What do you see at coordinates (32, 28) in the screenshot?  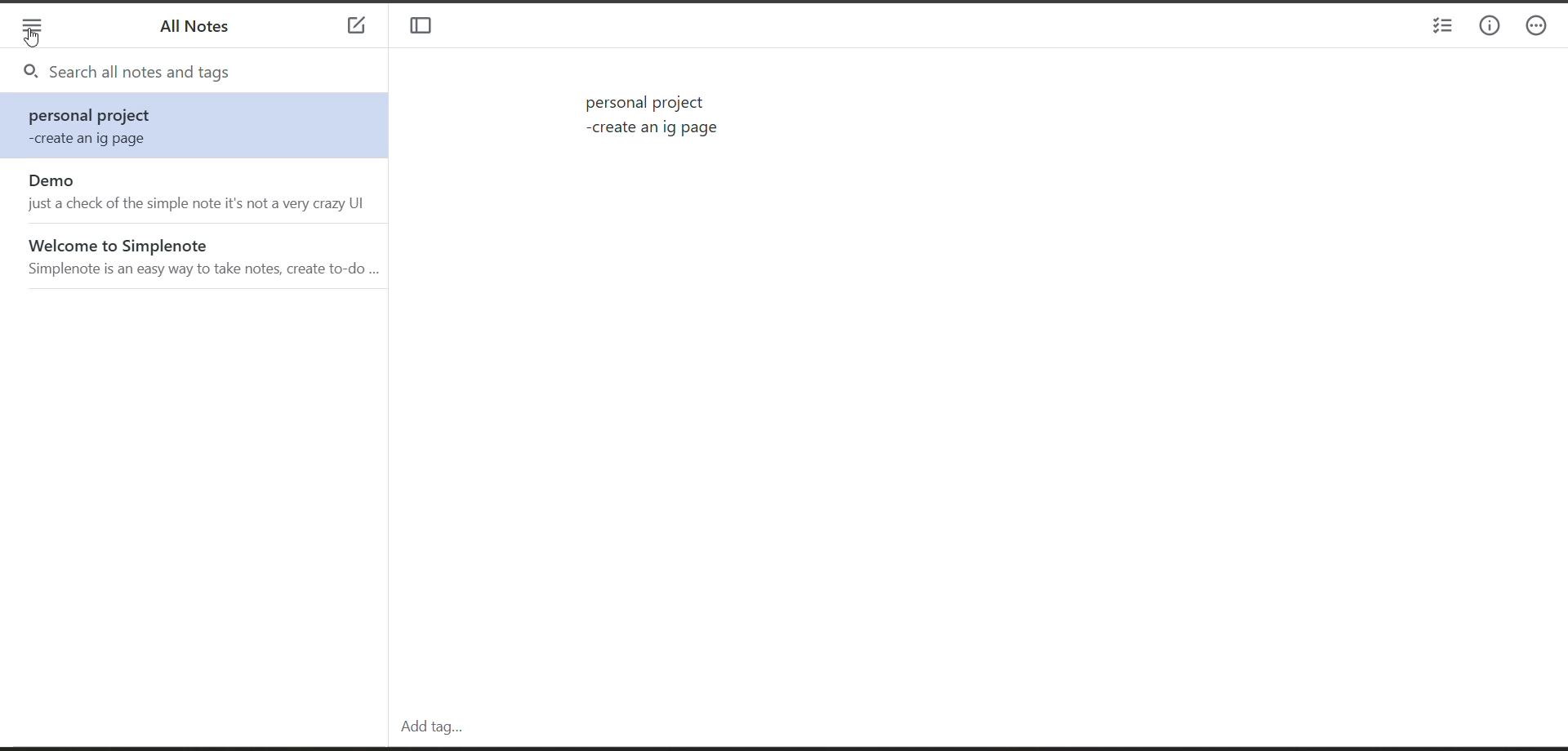 I see `menu` at bounding box center [32, 28].